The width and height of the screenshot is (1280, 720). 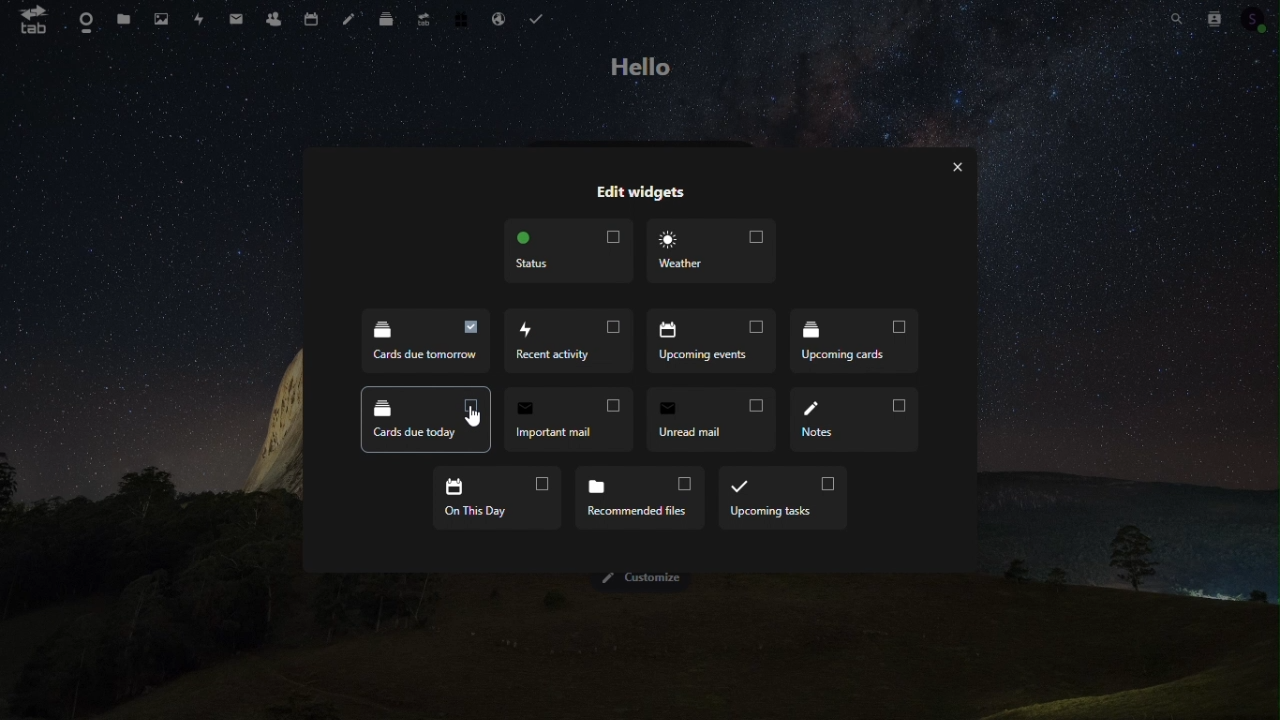 What do you see at coordinates (642, 579) in the screenshot?
I see `customize` at bounding box center [642, 579].